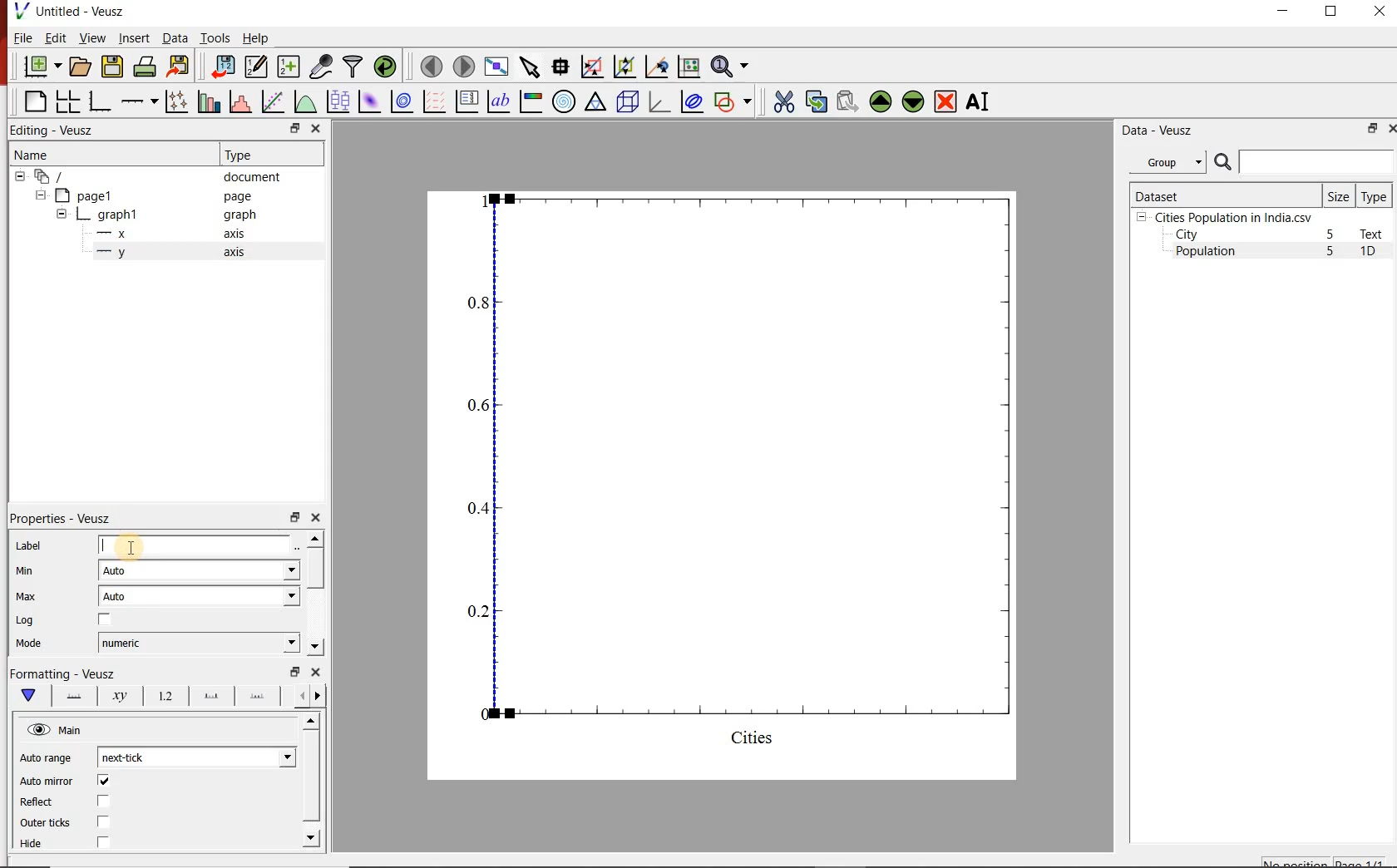 Image resolution: width=1397 pixels, height=868 pixels. I want to click on Cities Population in India.csv, so click(1232, 217).